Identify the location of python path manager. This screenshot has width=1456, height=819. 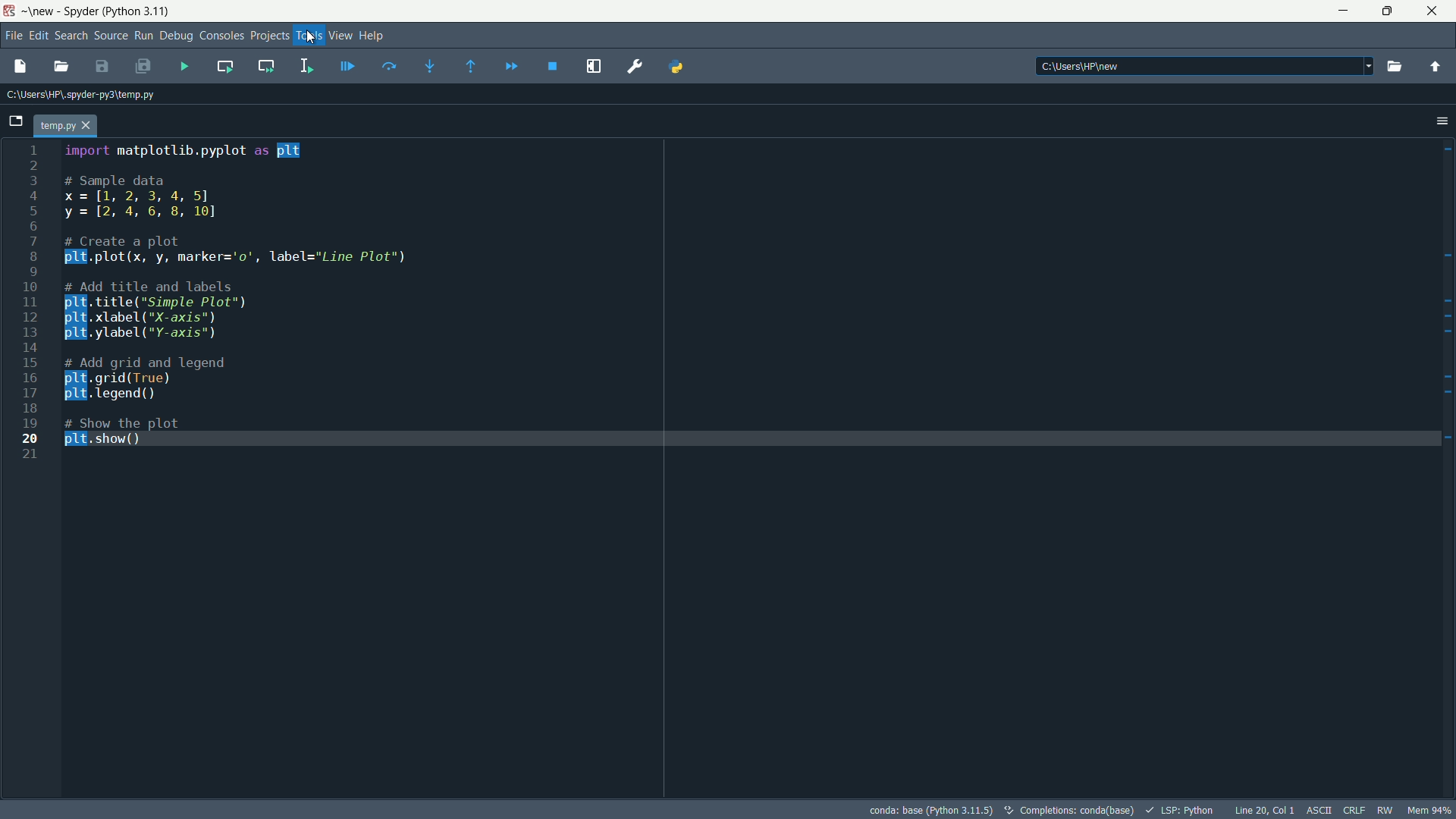
(674, 67).